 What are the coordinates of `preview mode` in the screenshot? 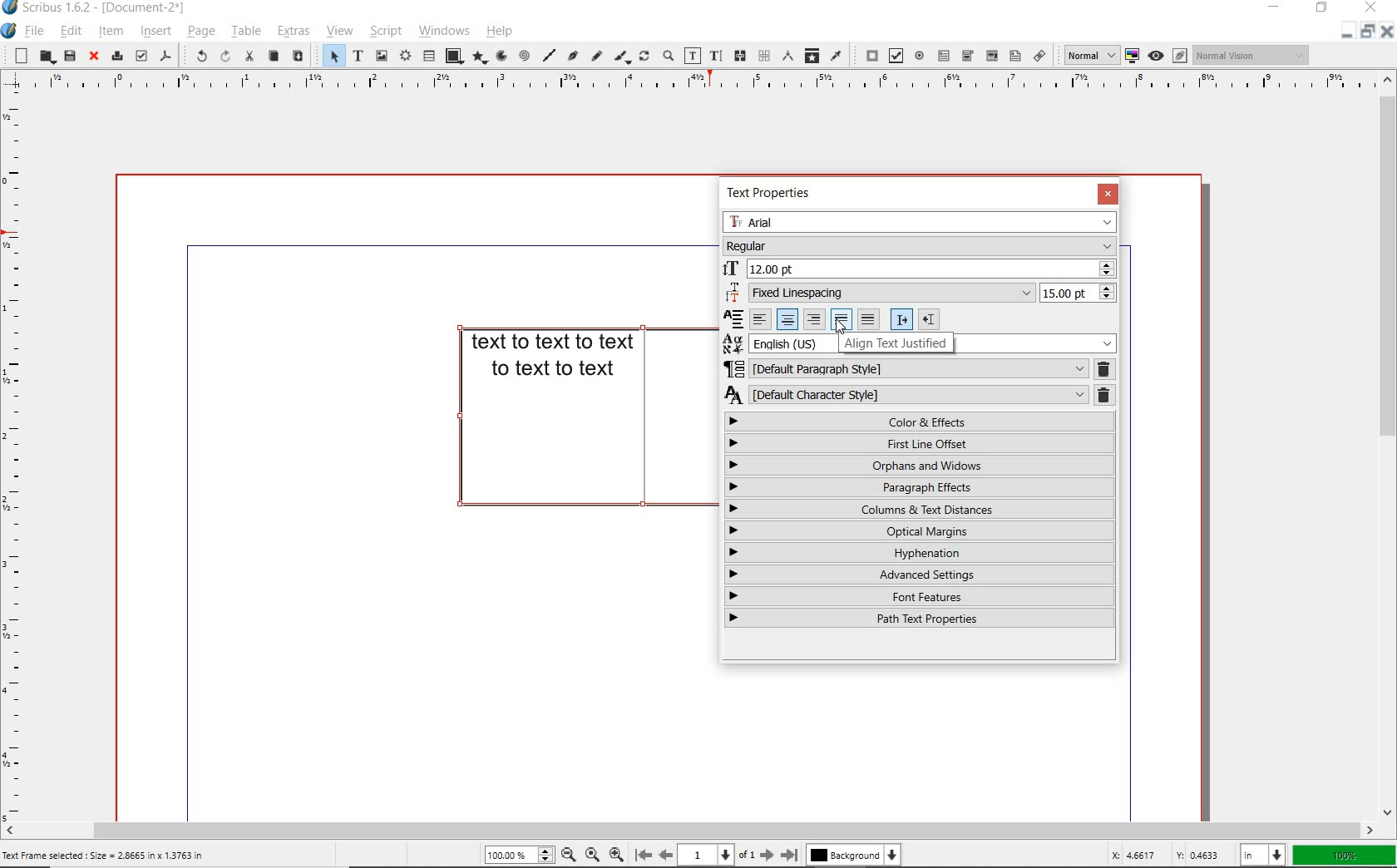 It's located at (1170, 56).